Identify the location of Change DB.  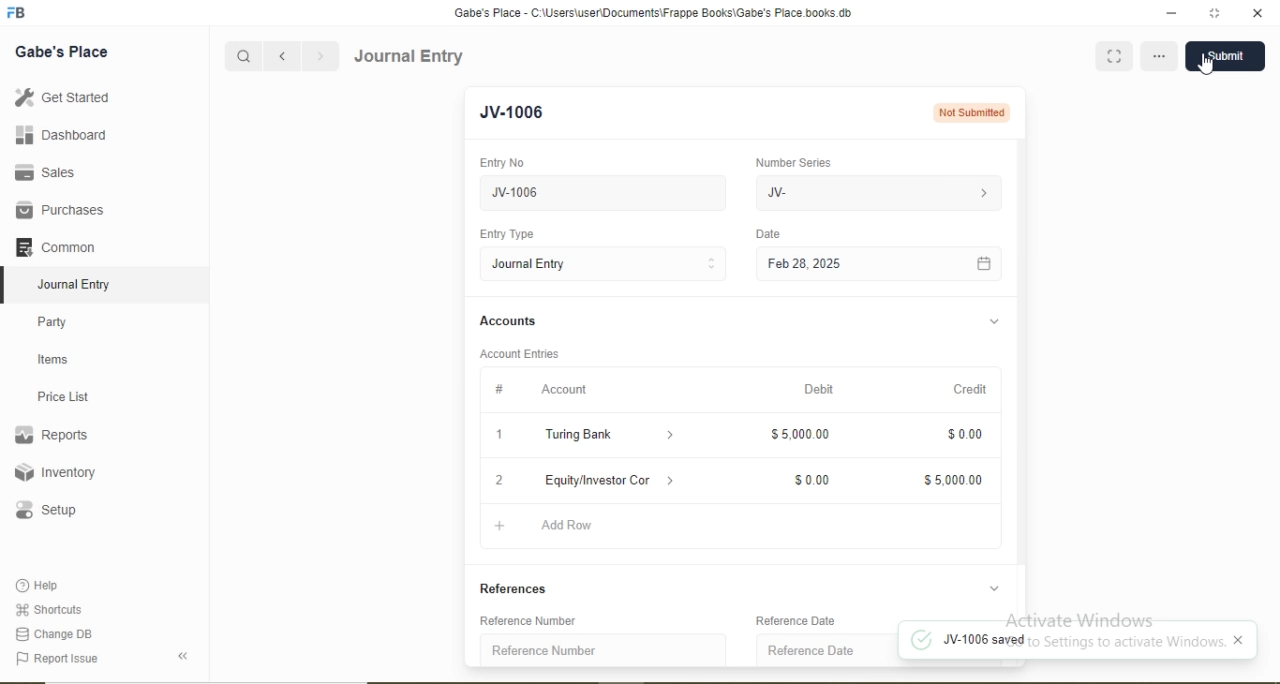
(52, 635).